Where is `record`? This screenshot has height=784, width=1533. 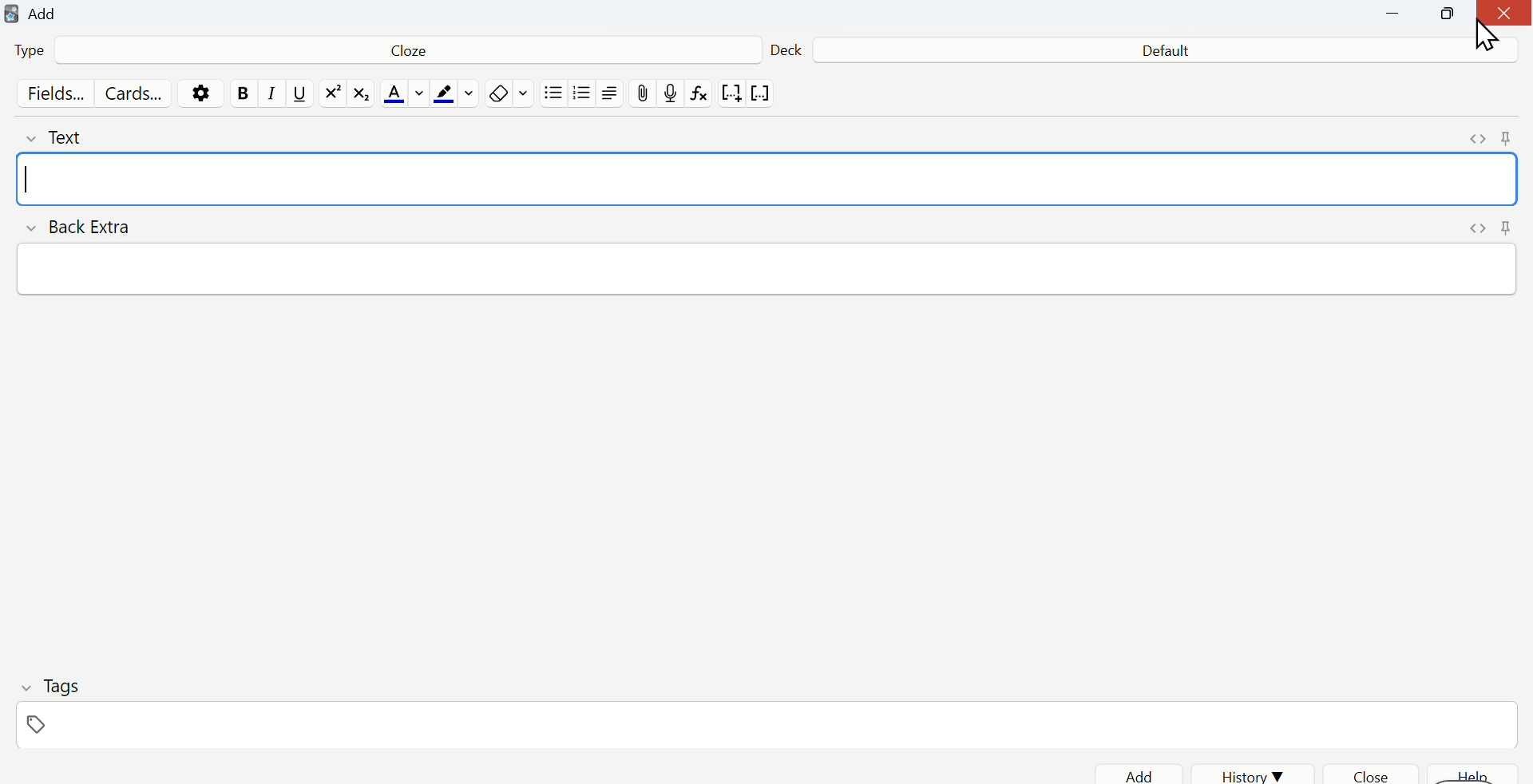
record is located at coordinates (671, 94).